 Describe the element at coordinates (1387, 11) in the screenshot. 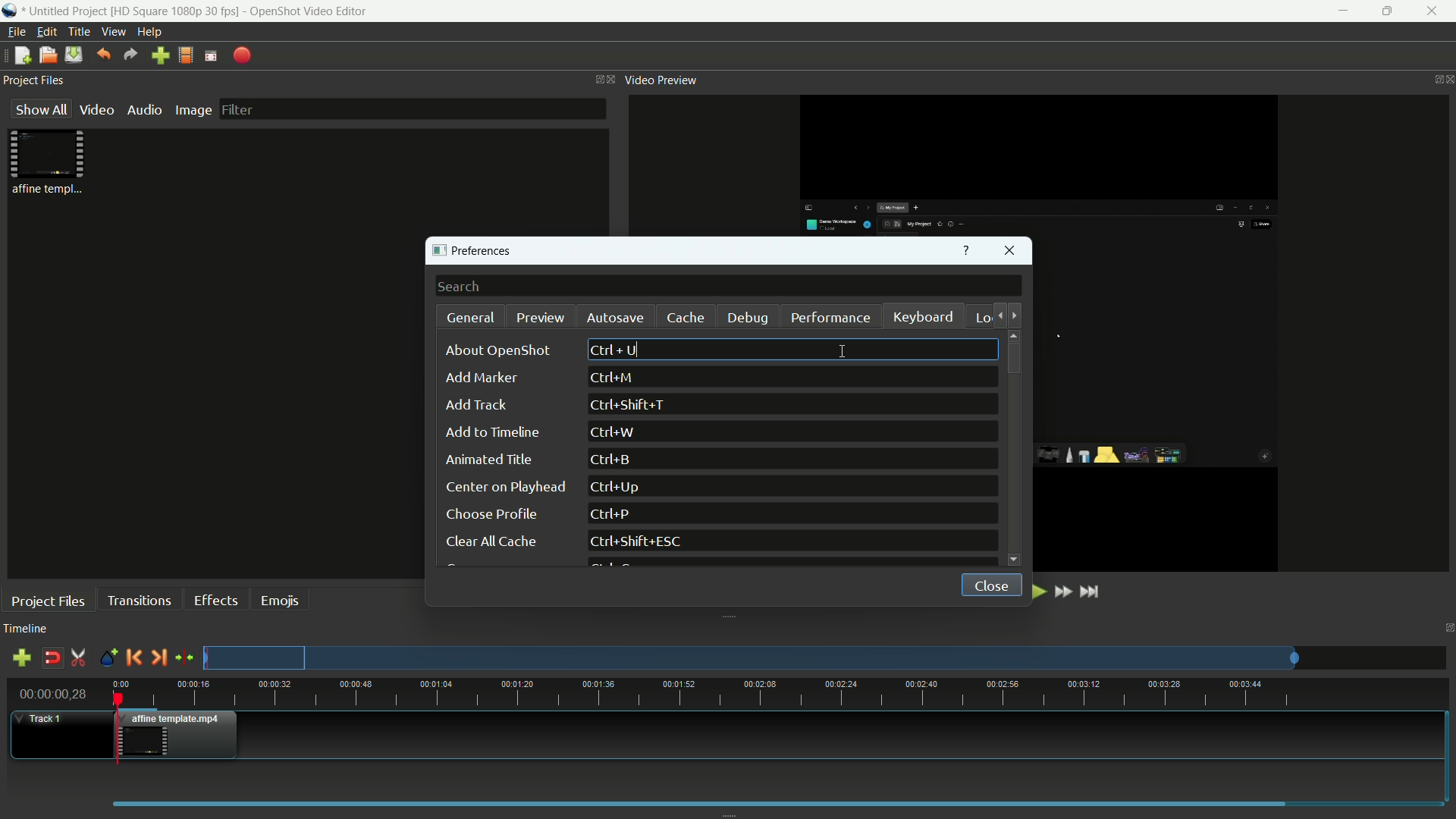

I see `maximize` at that location.